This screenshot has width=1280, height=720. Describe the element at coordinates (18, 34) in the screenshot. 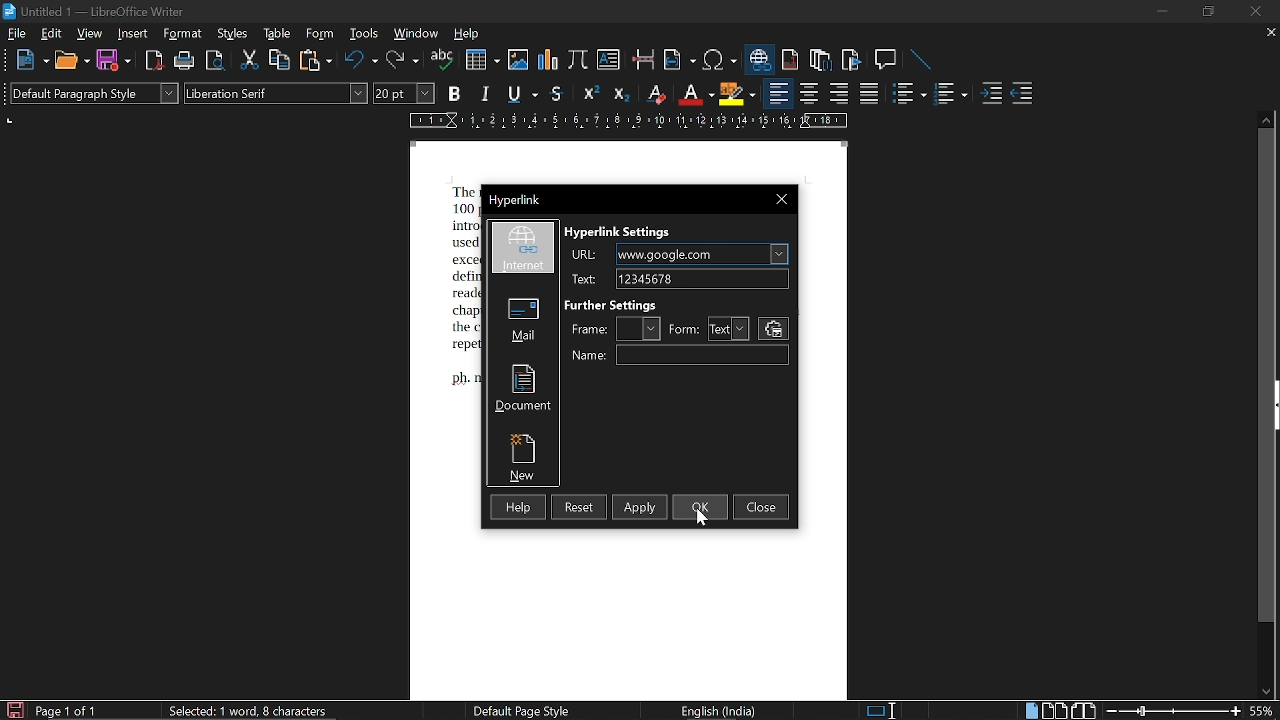

I see `file` at that location.